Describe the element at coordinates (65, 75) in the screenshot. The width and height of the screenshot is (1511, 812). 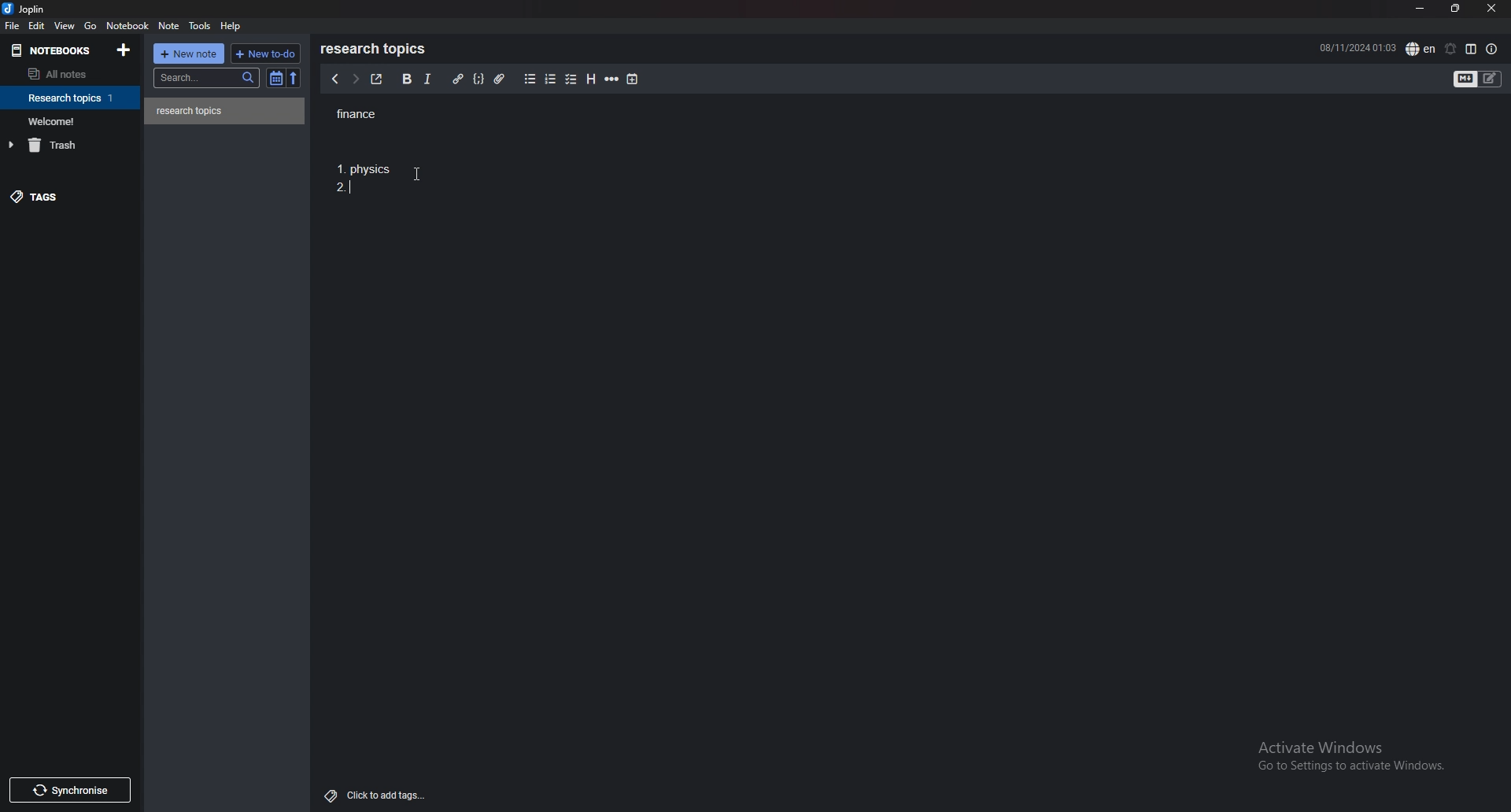
I see `all notes` at that location.